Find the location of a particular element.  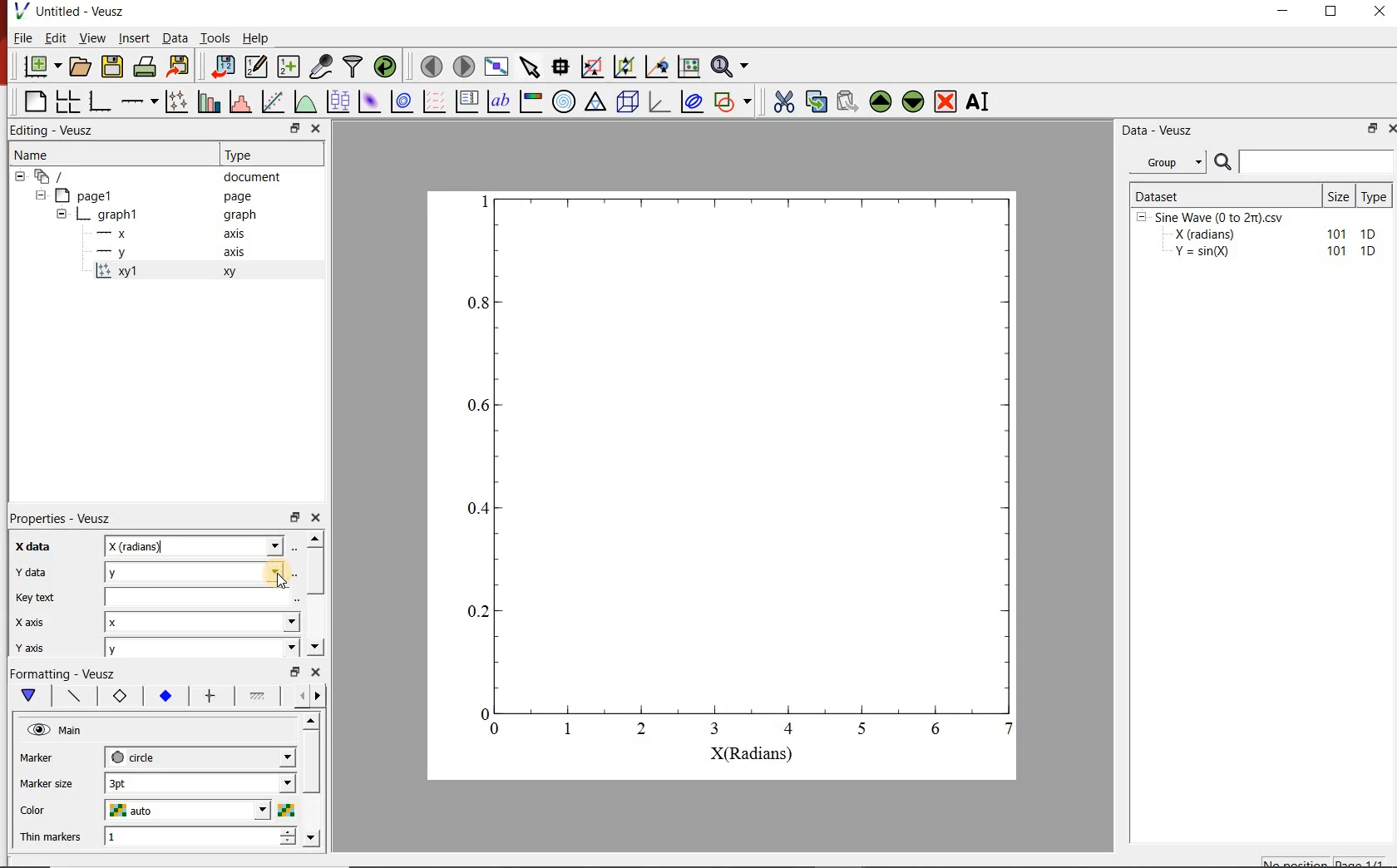

click to zoom out is located at coordinates (627, 65).